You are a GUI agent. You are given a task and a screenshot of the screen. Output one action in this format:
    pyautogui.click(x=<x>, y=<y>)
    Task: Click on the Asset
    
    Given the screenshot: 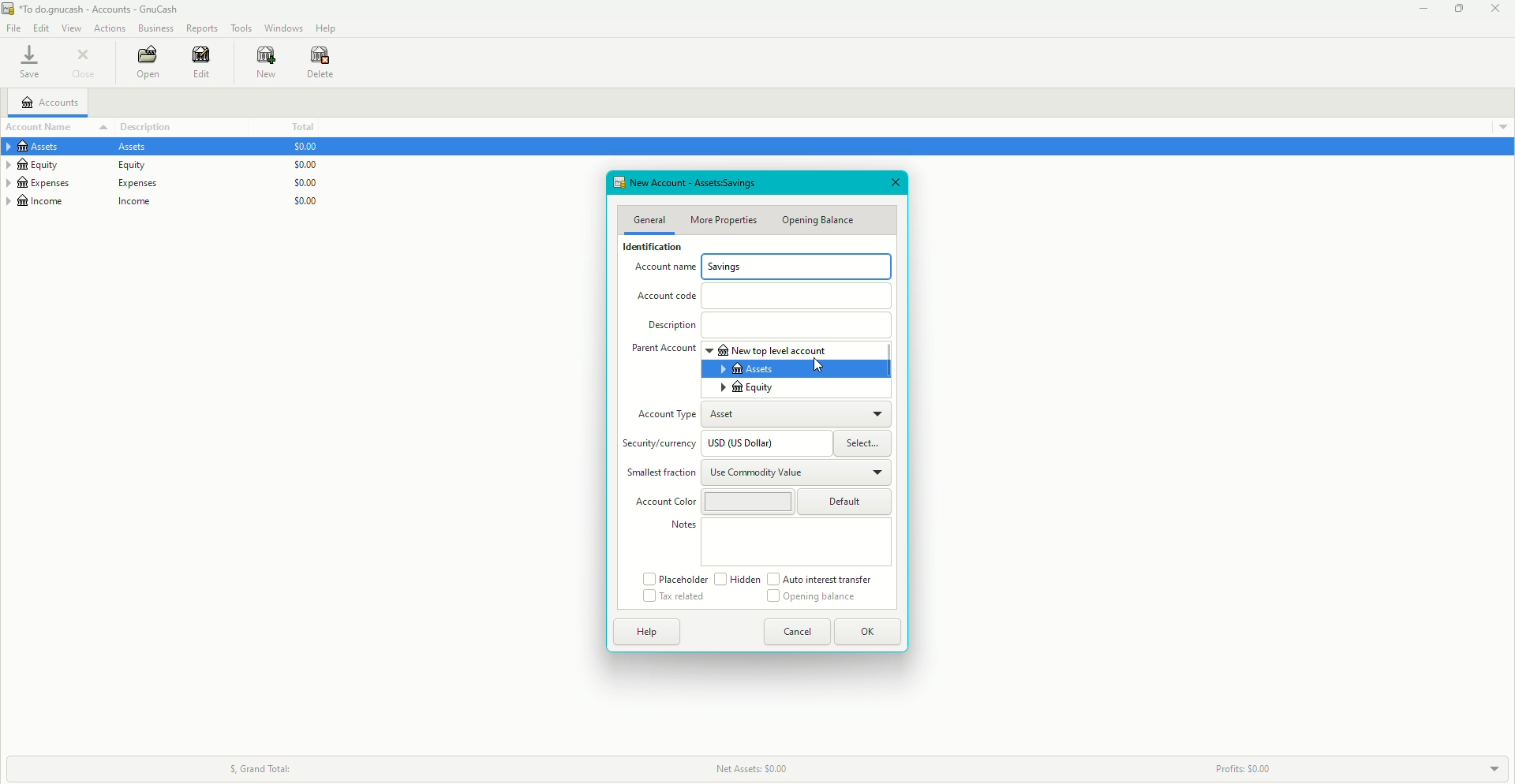 What is the action you would take?
    pyautogui.click(x=731, y=416)
    